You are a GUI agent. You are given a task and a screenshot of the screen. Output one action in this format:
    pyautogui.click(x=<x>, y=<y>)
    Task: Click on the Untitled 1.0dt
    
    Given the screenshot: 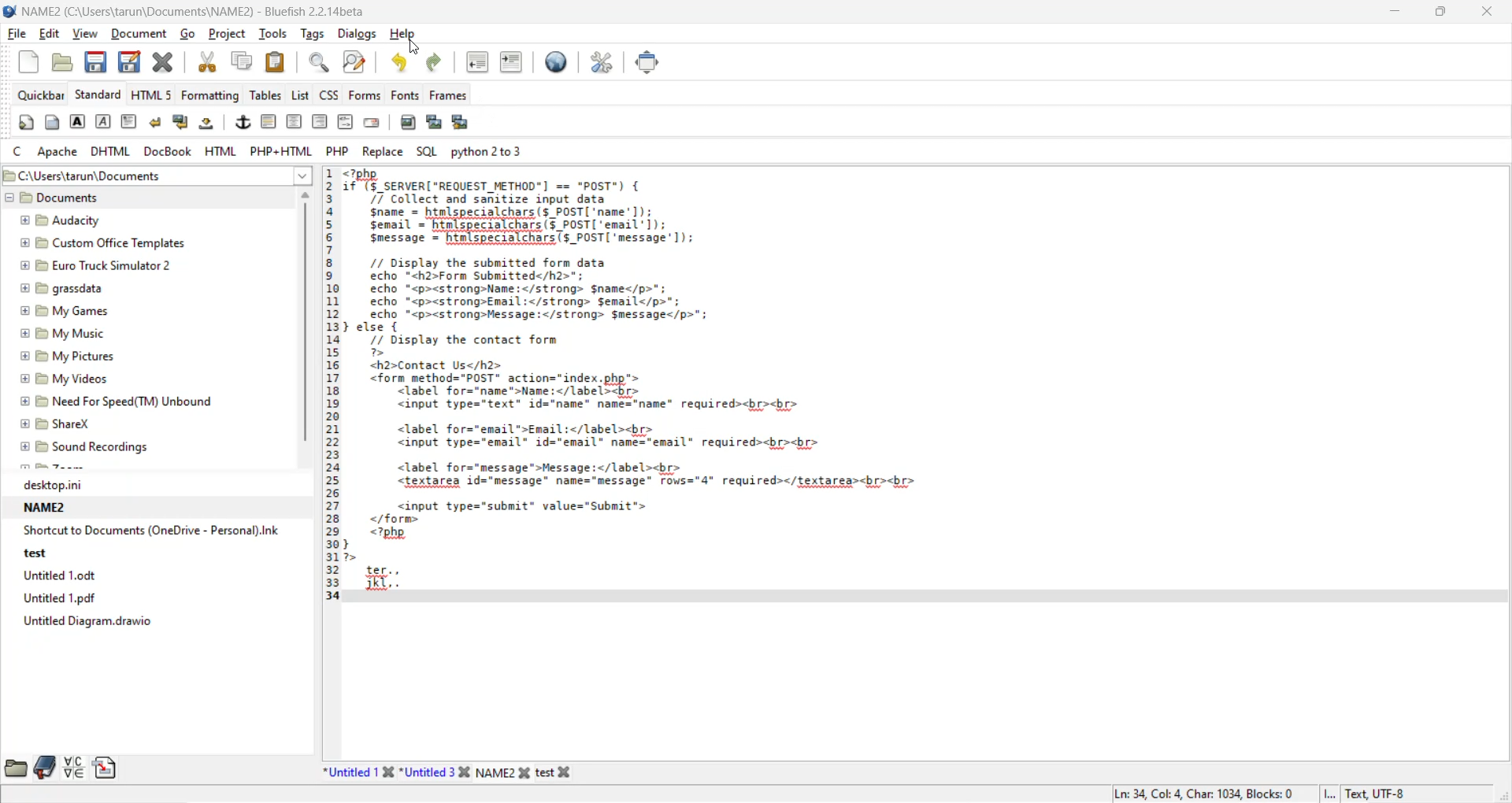 What is the action you would take?
    pyautogui.click(x=53, y=575)
    